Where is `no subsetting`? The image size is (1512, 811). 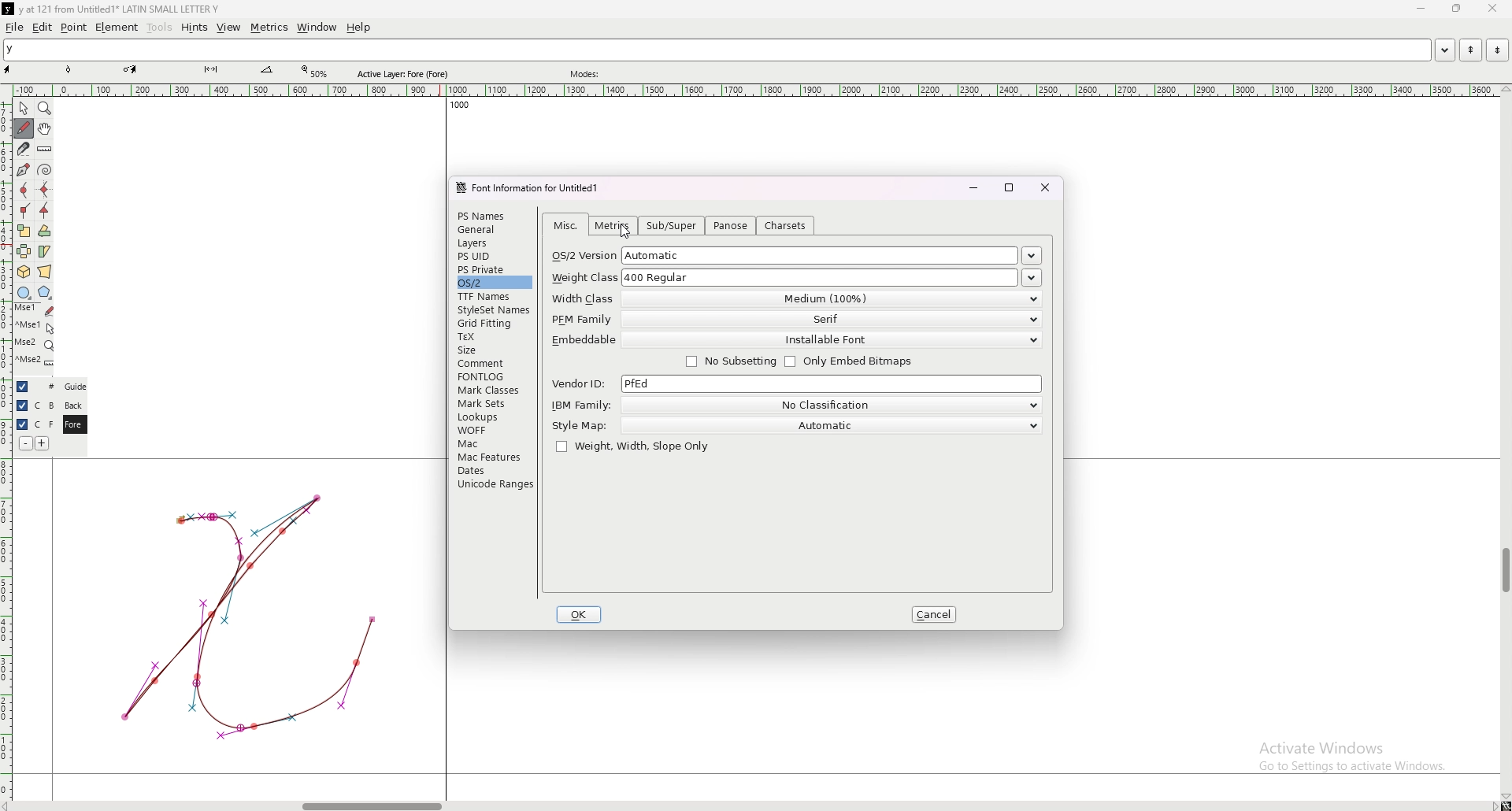 no subsetting is located at coordinates (731, 362).